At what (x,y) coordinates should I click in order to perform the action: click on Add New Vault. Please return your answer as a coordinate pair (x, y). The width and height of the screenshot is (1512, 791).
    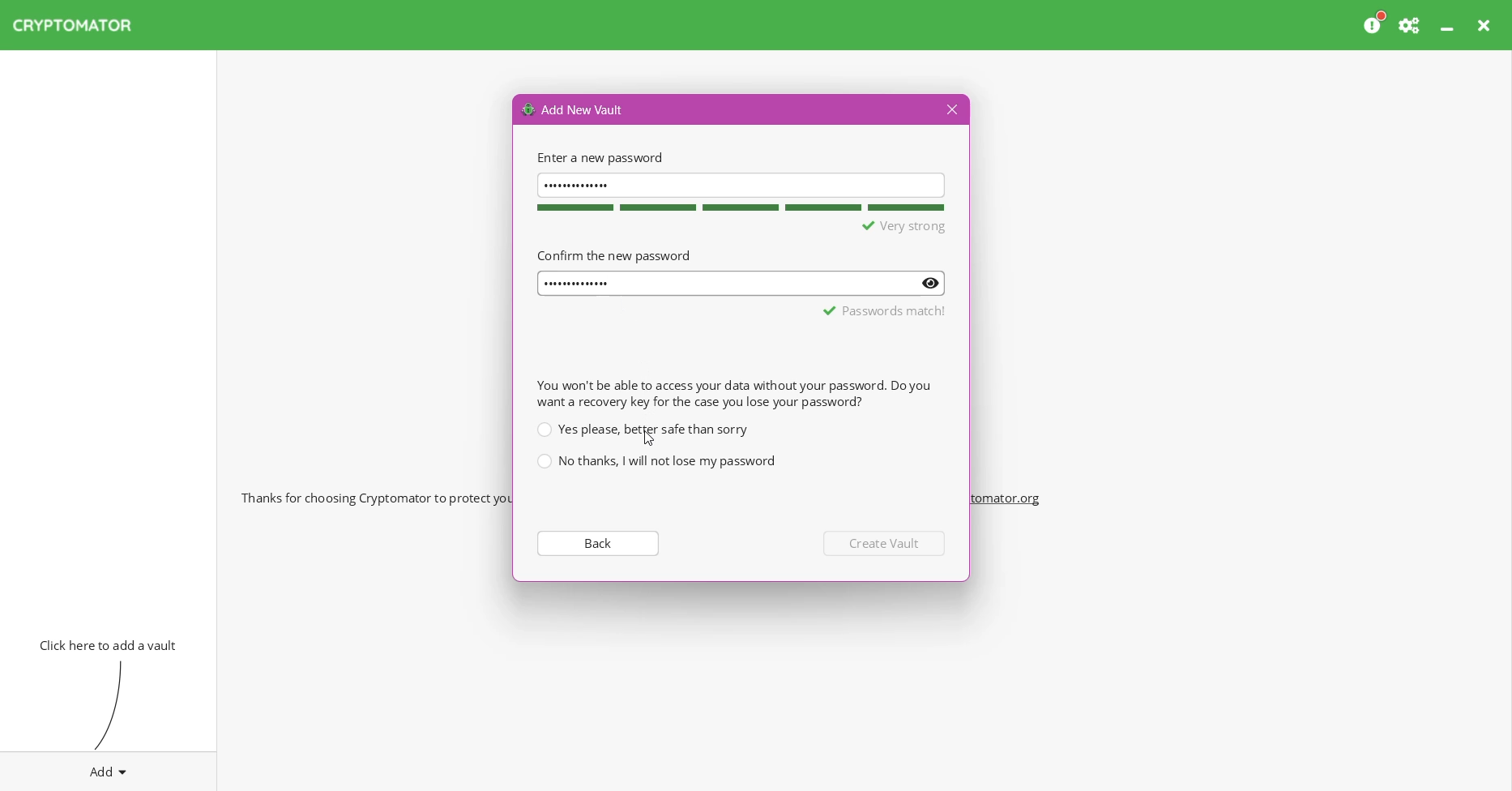
    Looking at the image, I should click on (574, 109).